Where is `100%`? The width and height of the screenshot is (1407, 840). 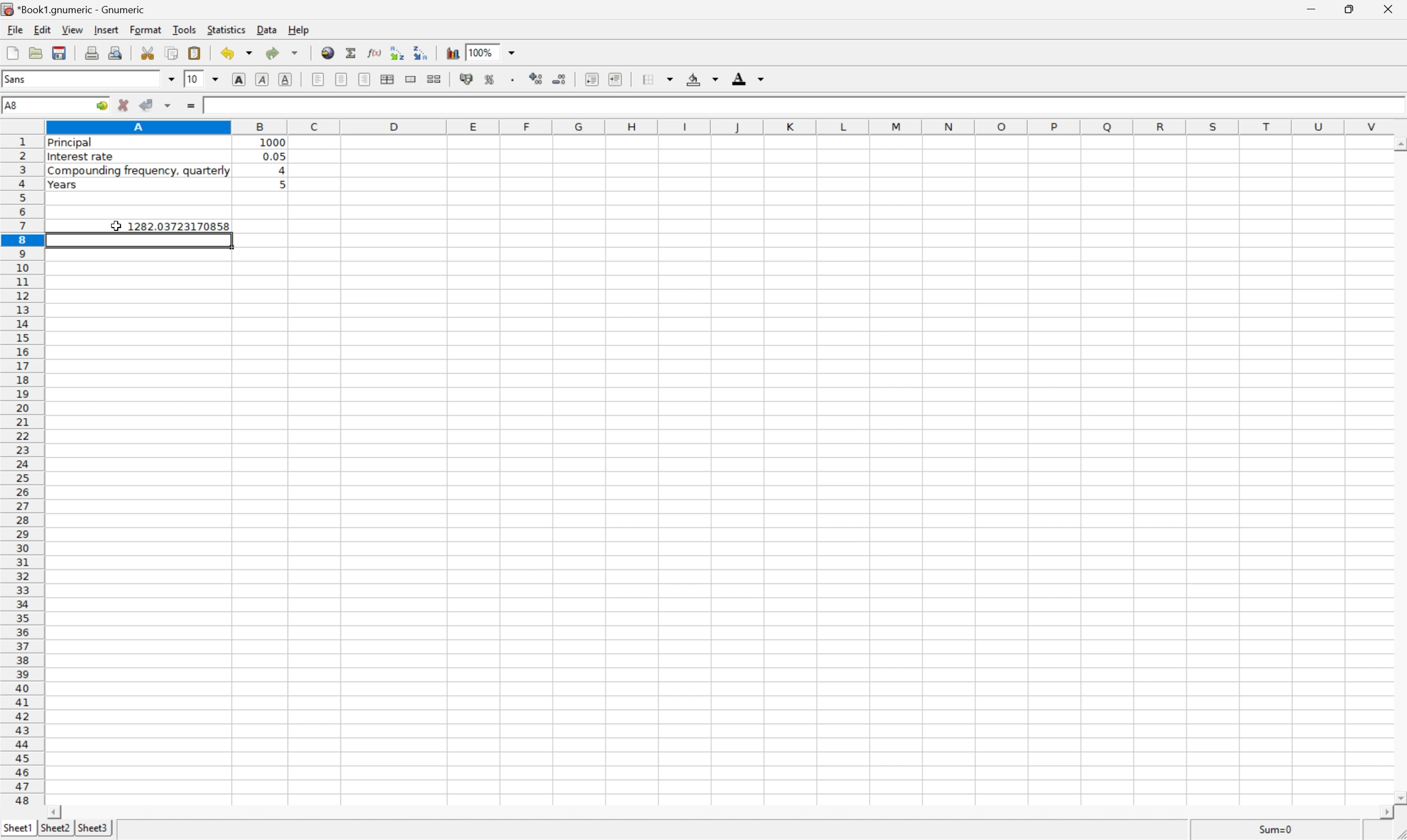 100% is located at coordinates (482, 52).